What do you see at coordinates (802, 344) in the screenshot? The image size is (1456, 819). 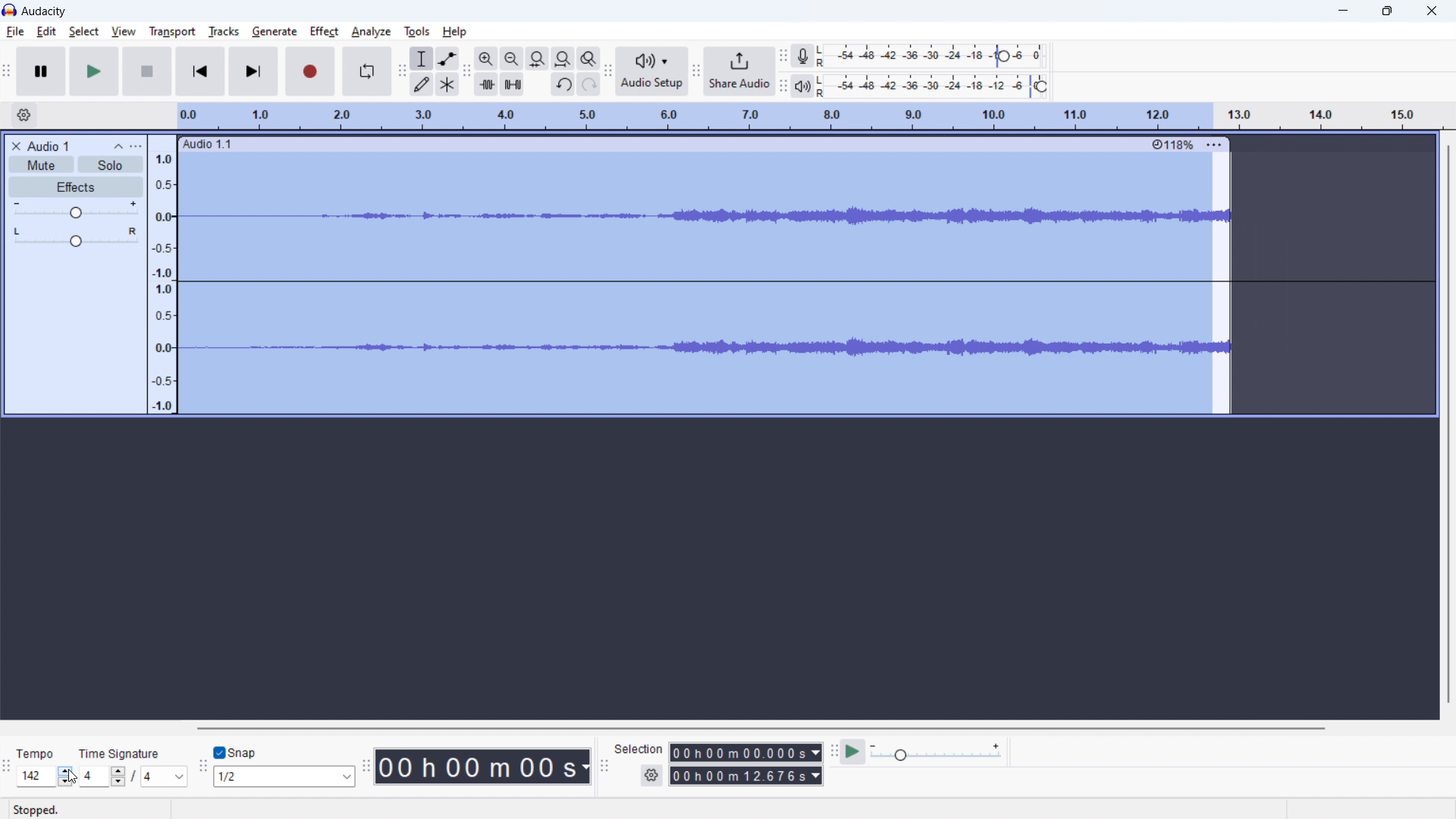 I see `Waveform` at bounding box center [802, 344].